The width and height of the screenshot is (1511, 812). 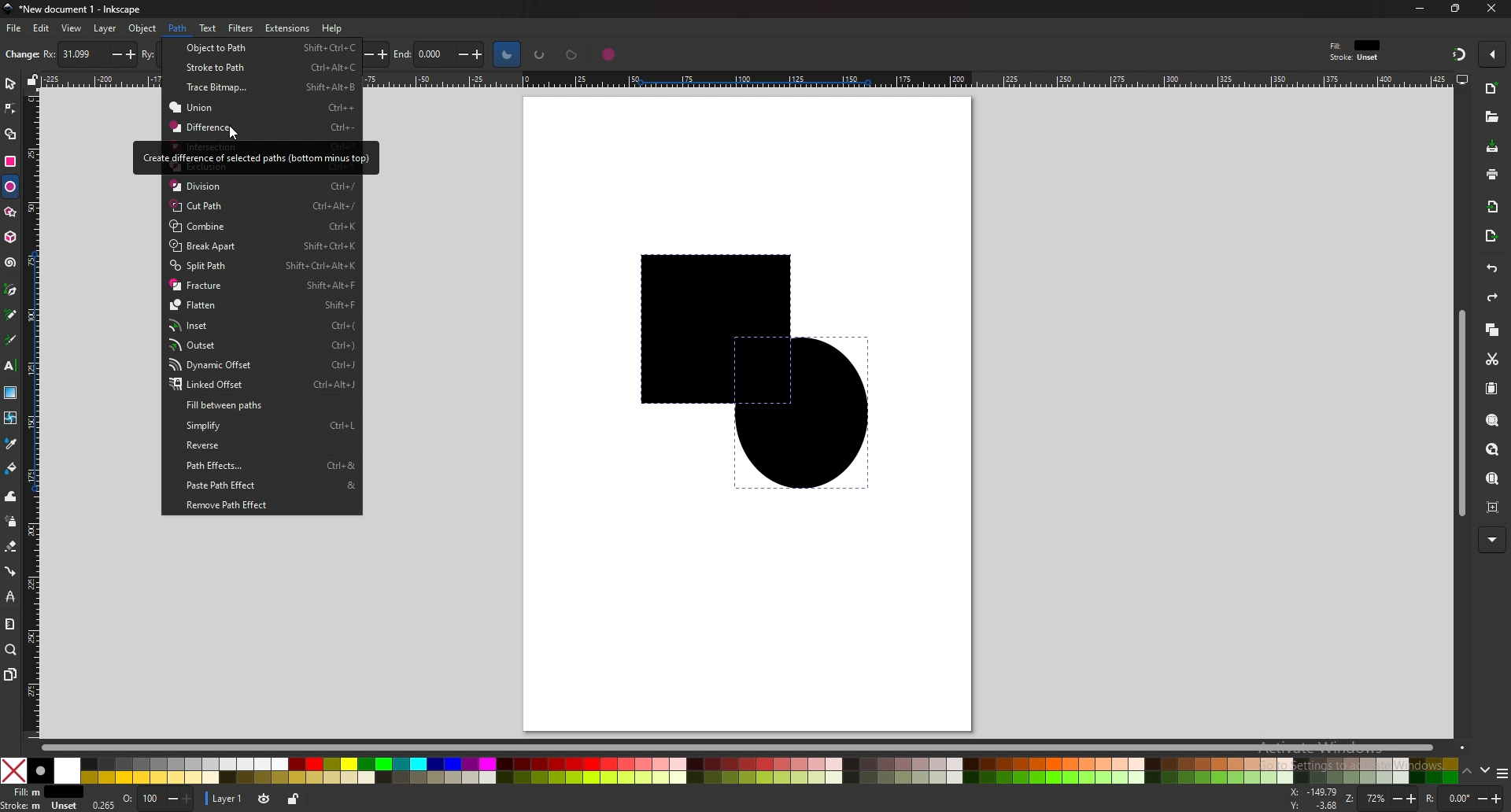 I want to click on 3d box, so click(x=10, y=237).